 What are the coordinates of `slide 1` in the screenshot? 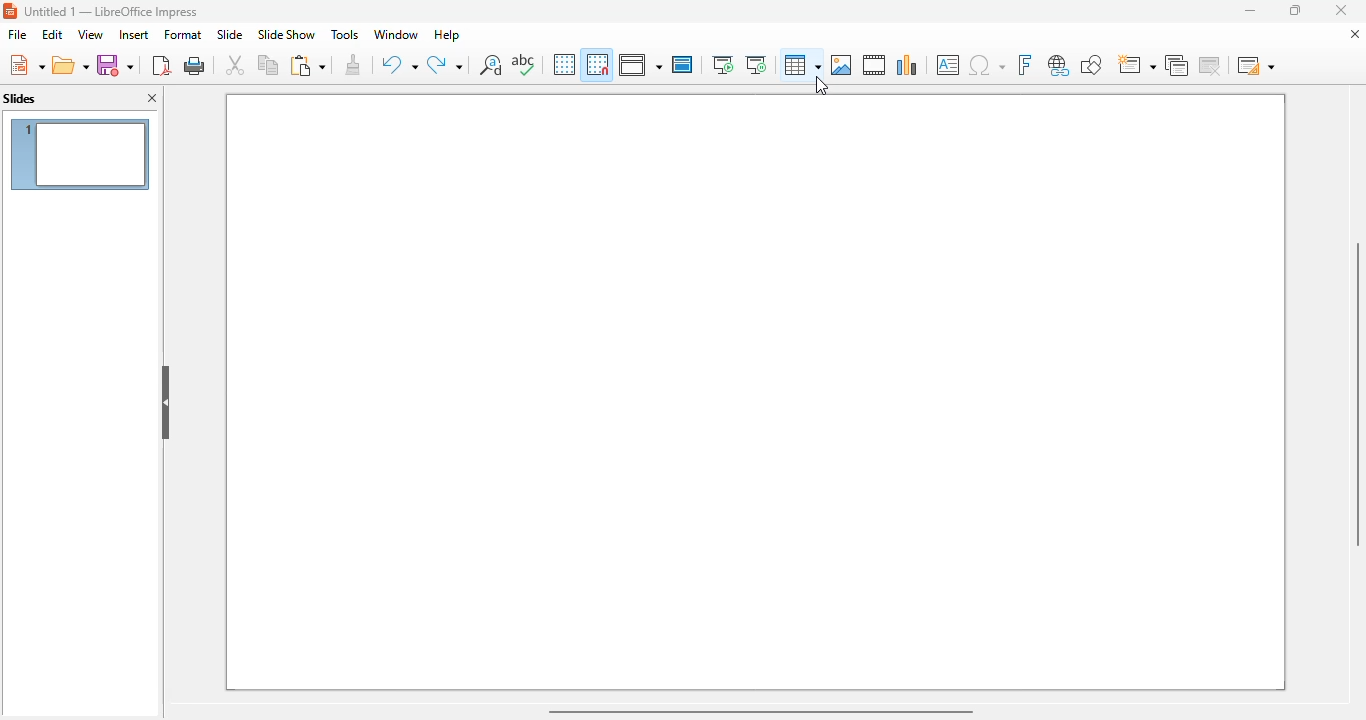 It's located at (81, 153).